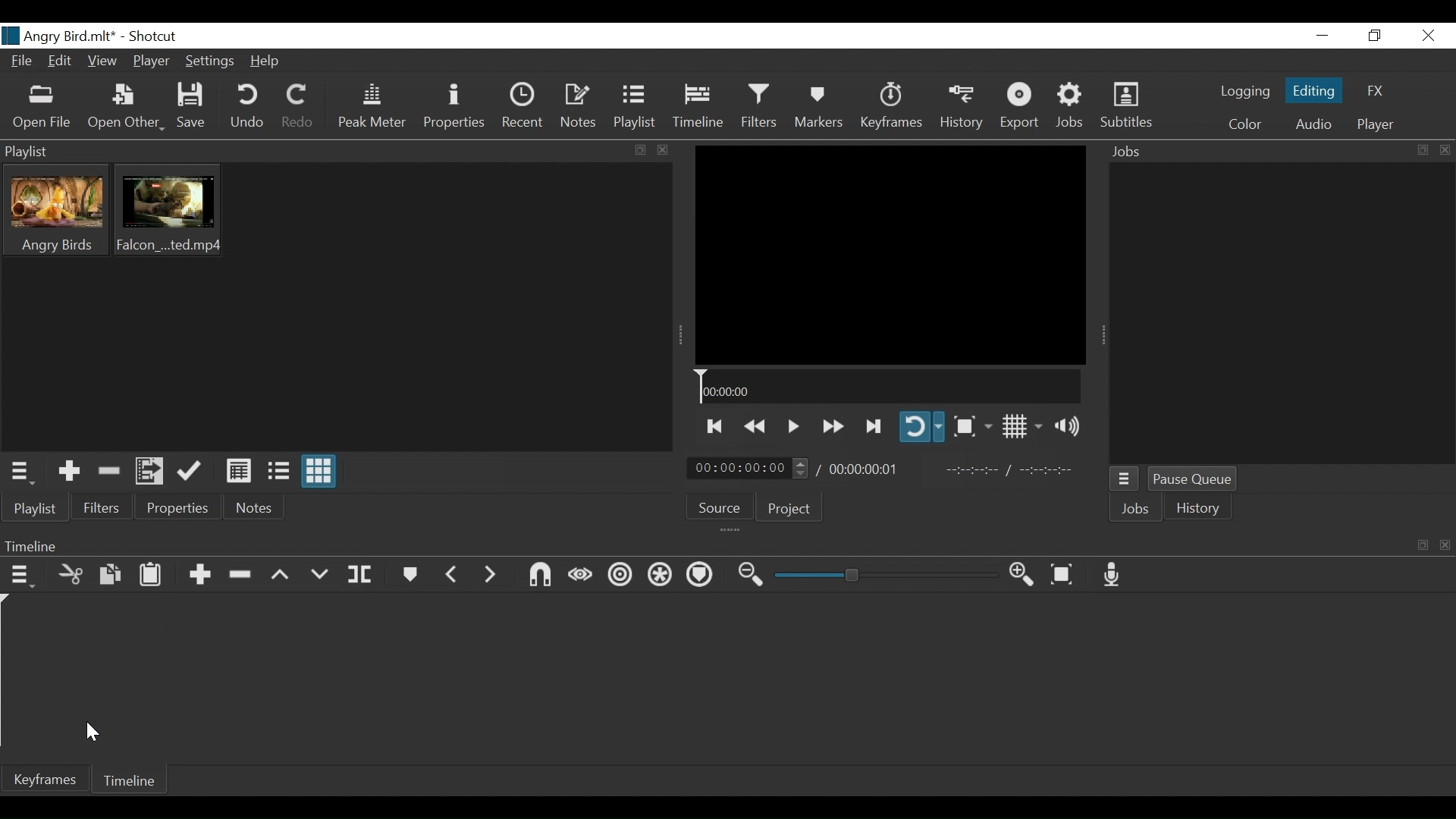 This screenshot has width=1456, height=819. I want to click on Record audio, so click(1109, 574).